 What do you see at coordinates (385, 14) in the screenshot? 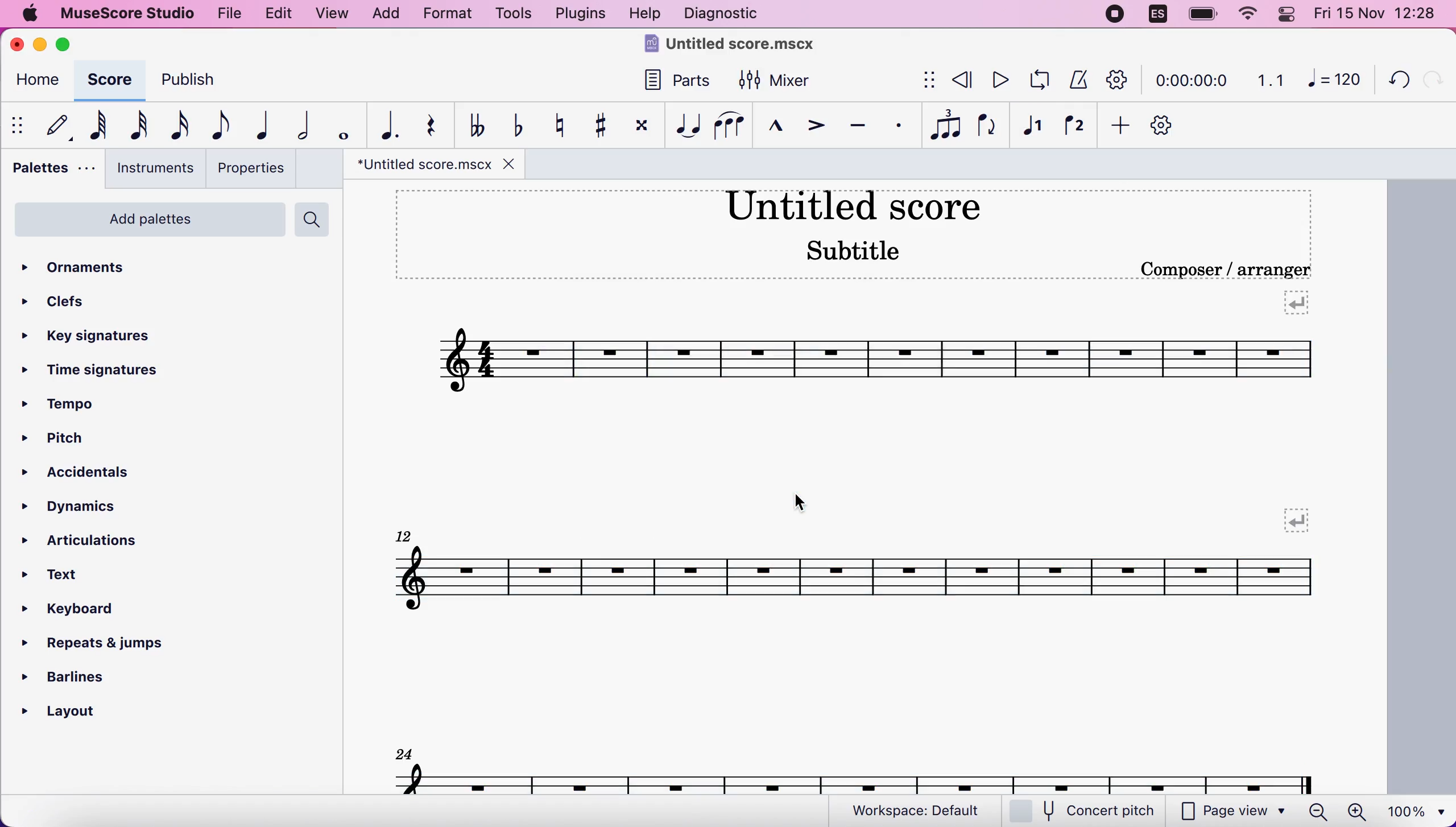
I see `add` at bounding box center [385, 14].